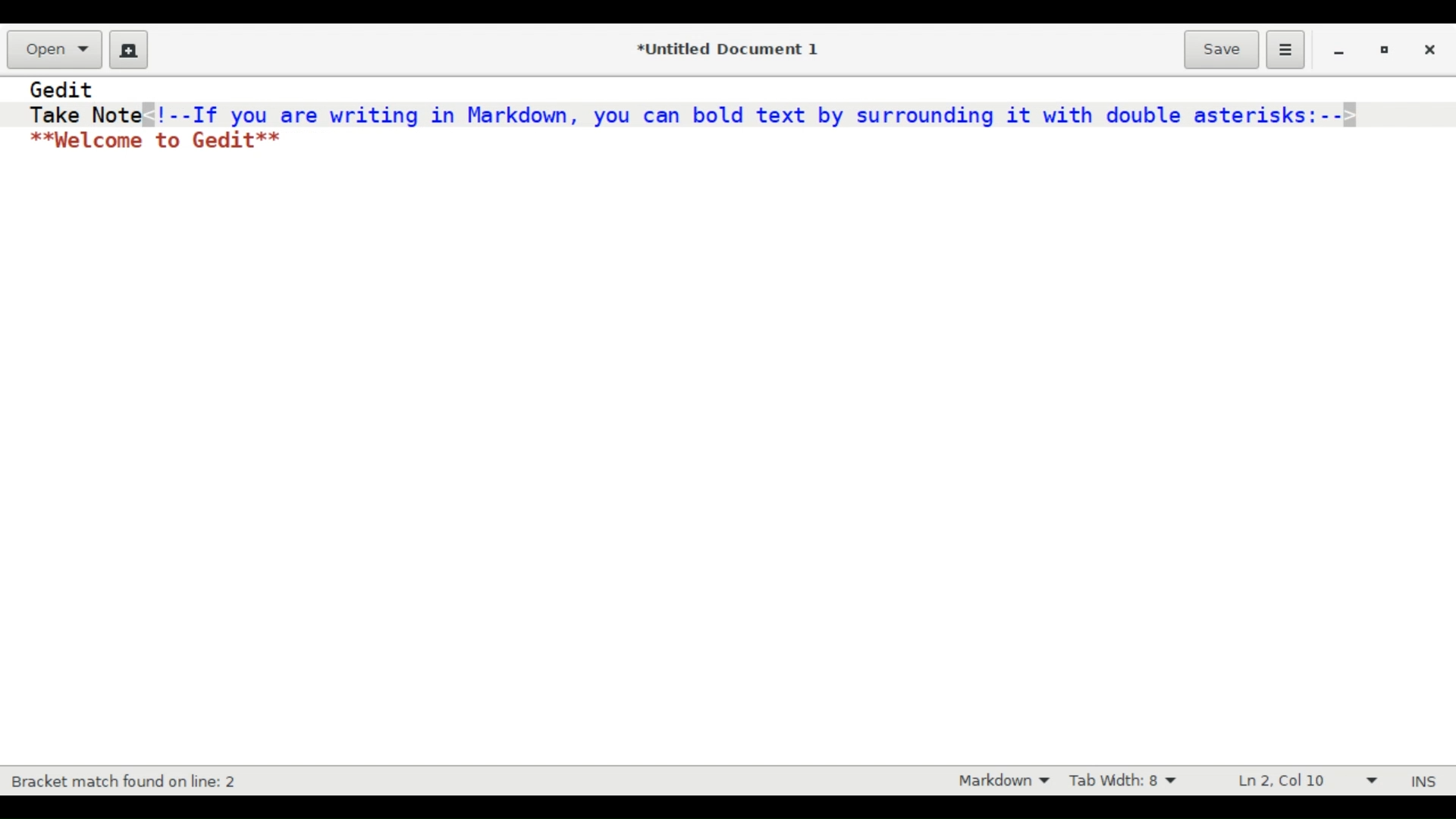 This screenshot has width=1456, height=819. I want to click on commented line "If you are writing in Markdown, you can bold text by surrounding it with double asterisks:", so click(753, 114).